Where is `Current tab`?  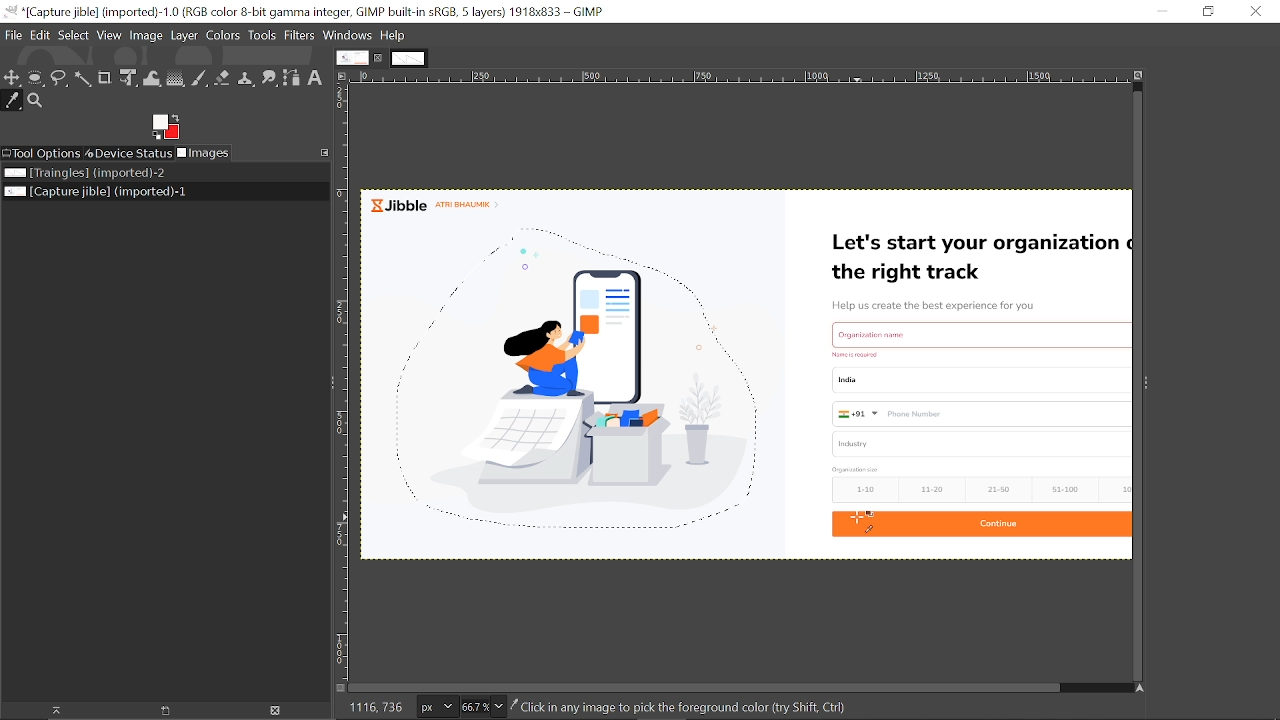
Current tab is located at coordinates (351, 57).